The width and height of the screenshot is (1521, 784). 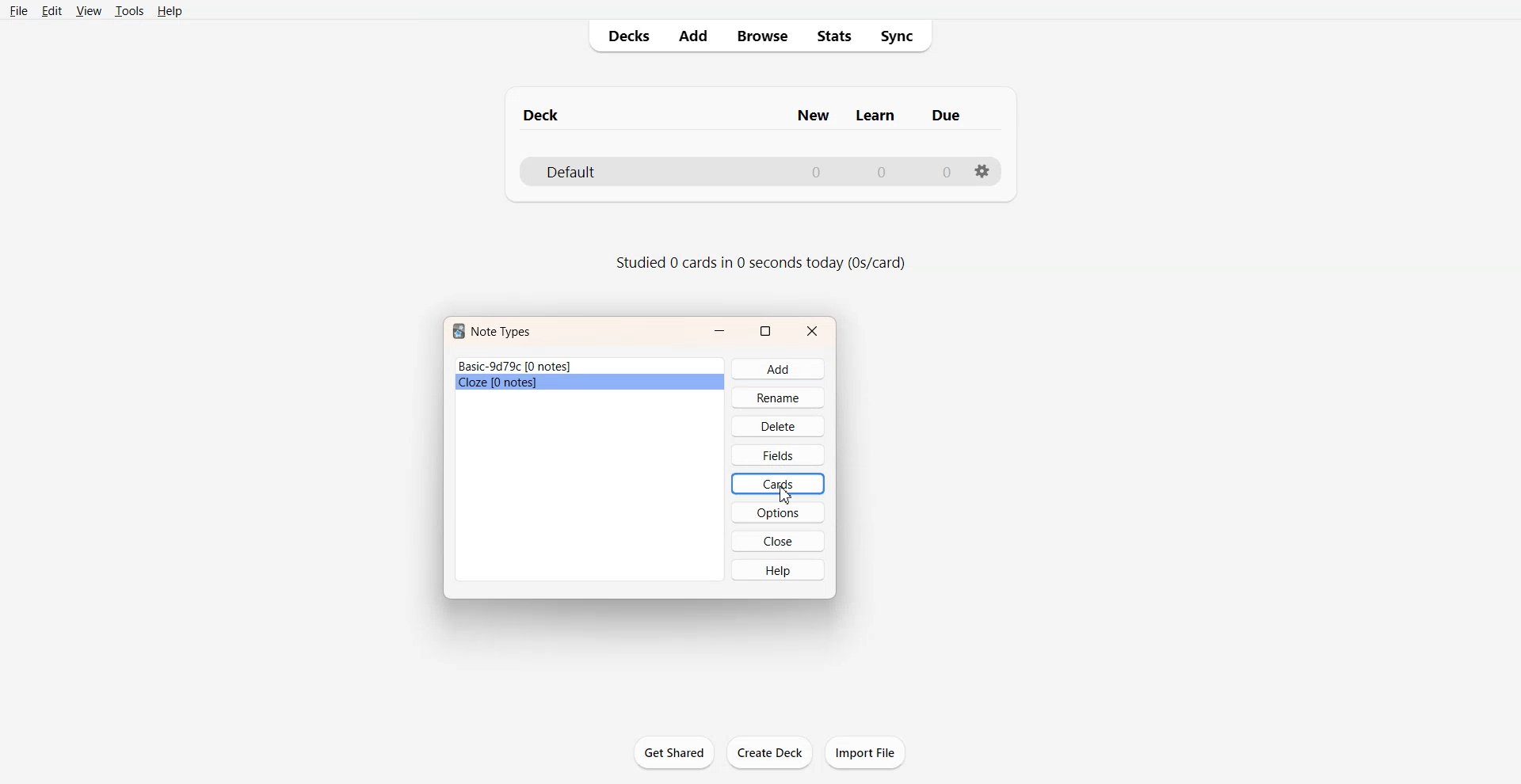 What do you see at coordinates (492, 330) in the screenshot?
I see `Text` at bounding box center [492, 330].